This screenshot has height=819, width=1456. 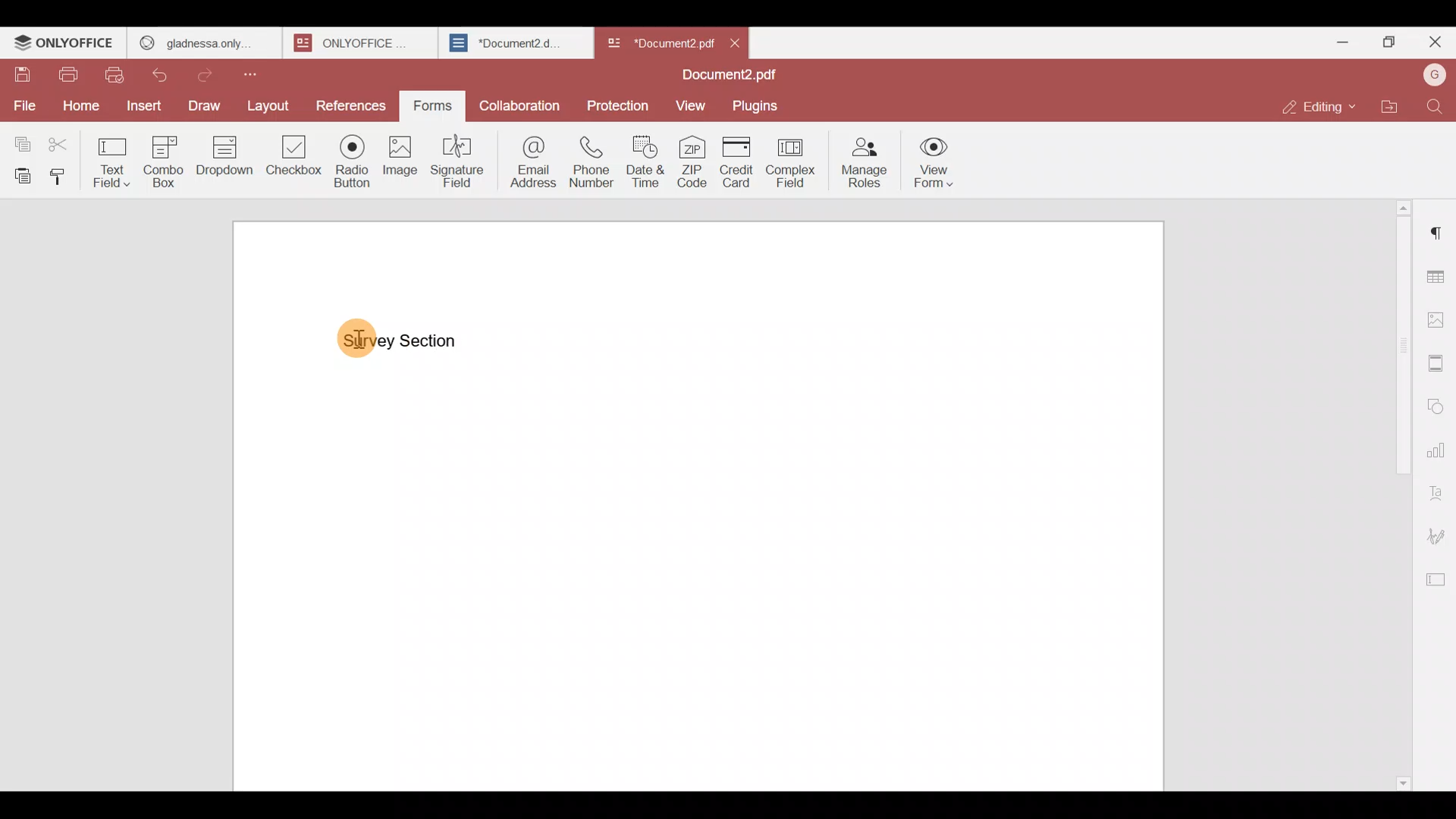 What do you see at coordinates (619, 104) in the screenshot?
I see `Protection` at bounding box center [619, 104].